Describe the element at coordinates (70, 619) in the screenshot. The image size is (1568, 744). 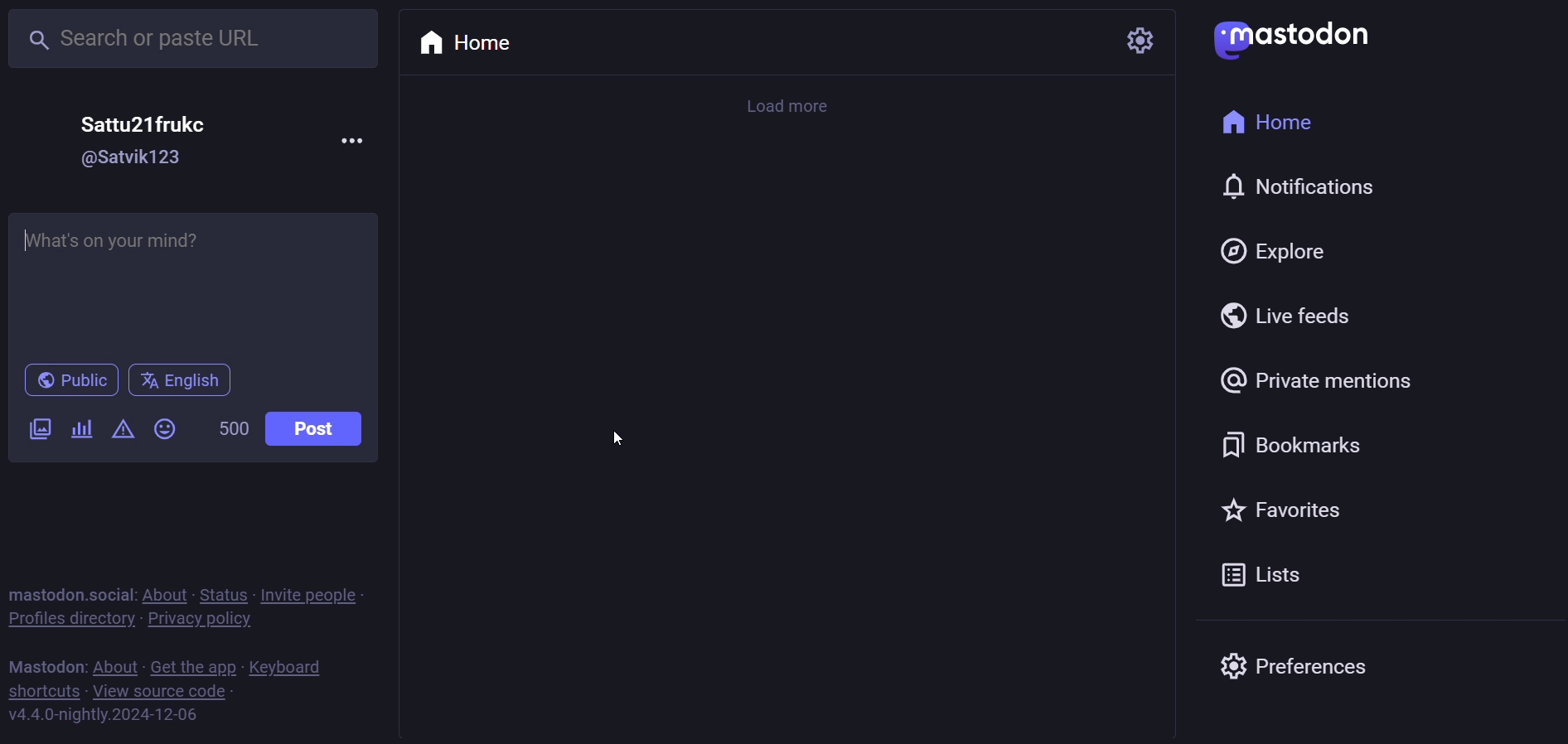
I see `profiles` at that location.